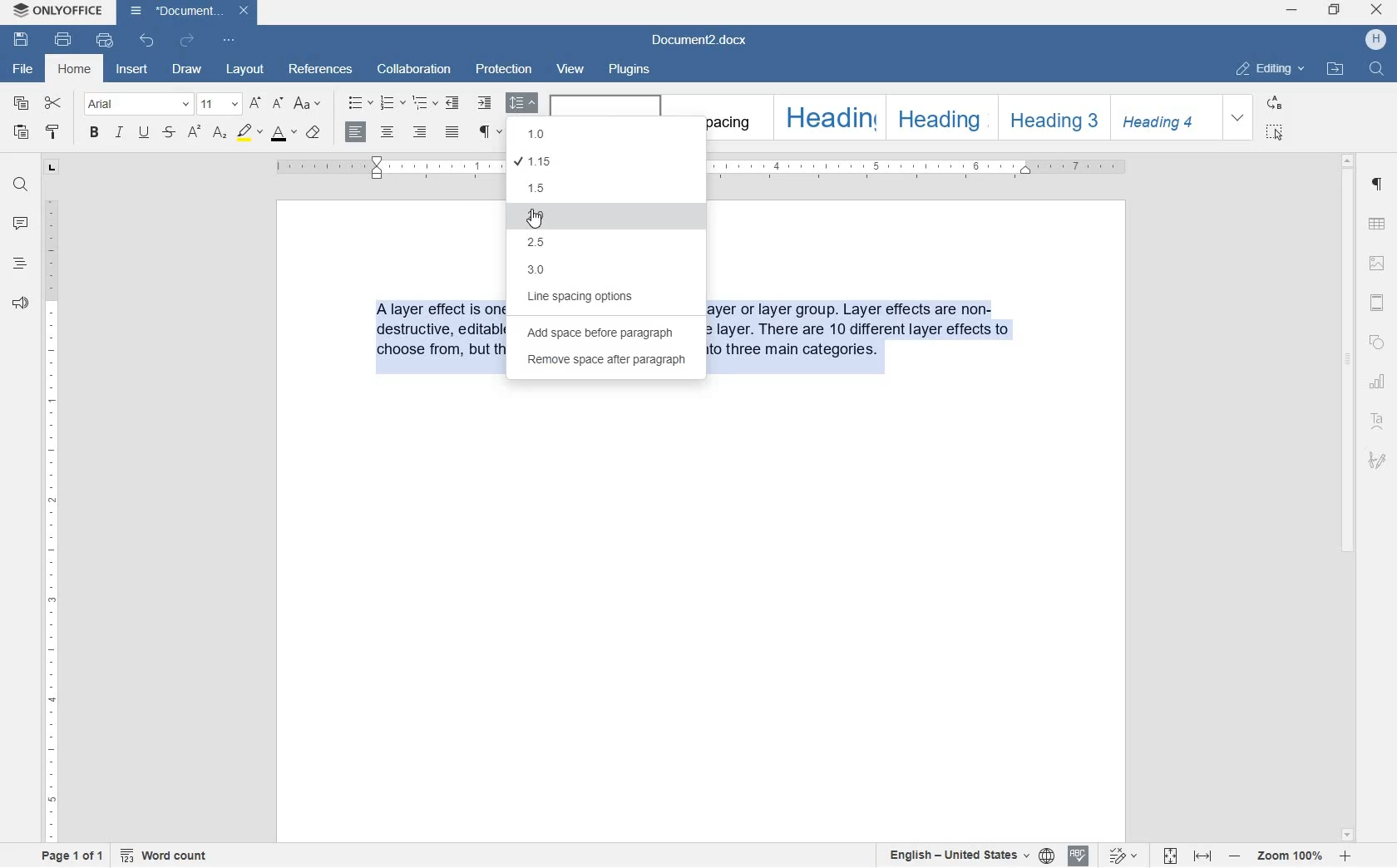 This screenshot has width=1397, height=868. Describe the element at coordinates (926, 168) in the screenshot. I see `ruler` at that location.